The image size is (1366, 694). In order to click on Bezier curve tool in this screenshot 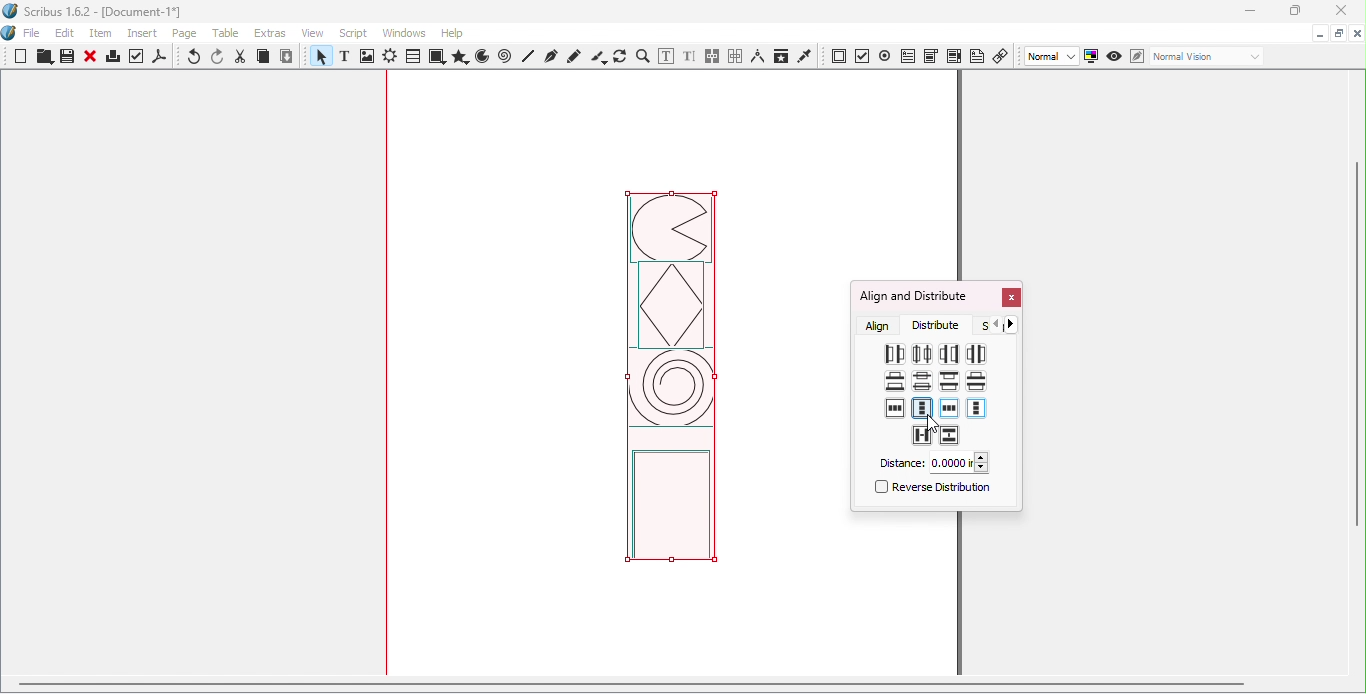, I will do `click(550, 56)`.